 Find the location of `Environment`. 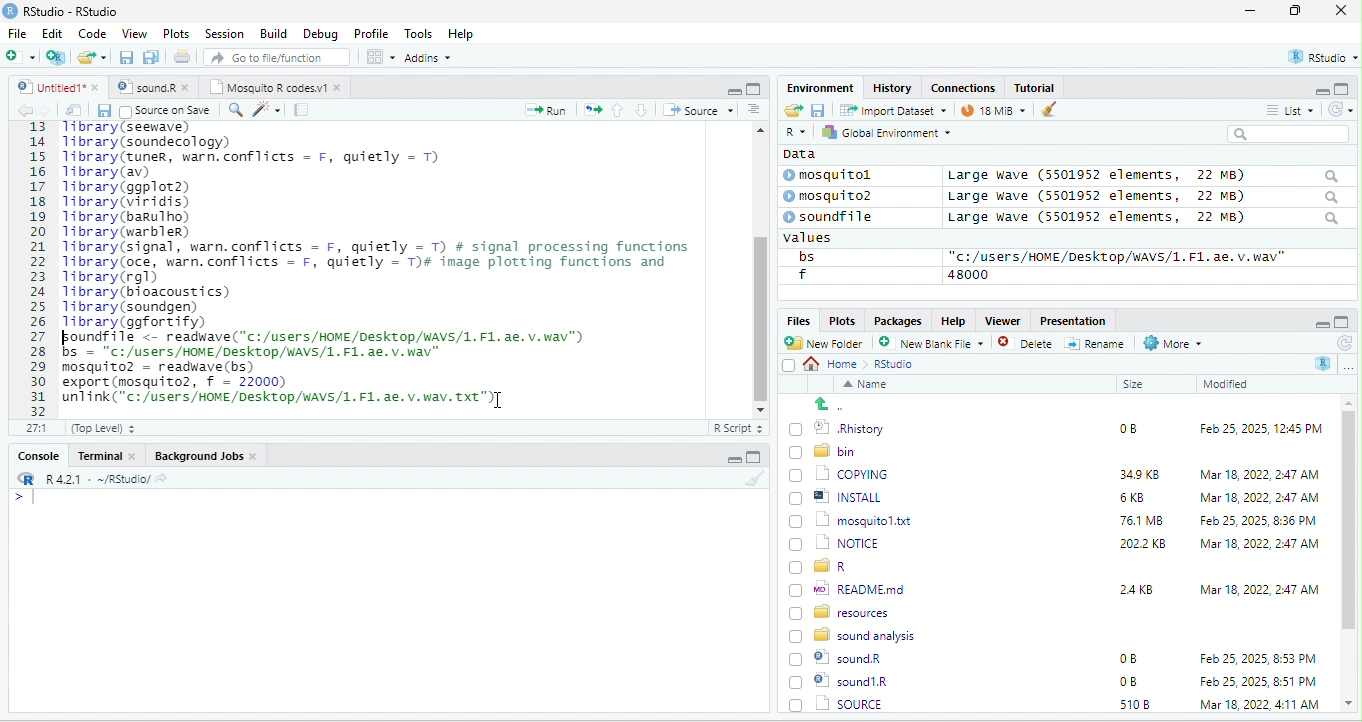

Environment is located at coordinates (820, 87).